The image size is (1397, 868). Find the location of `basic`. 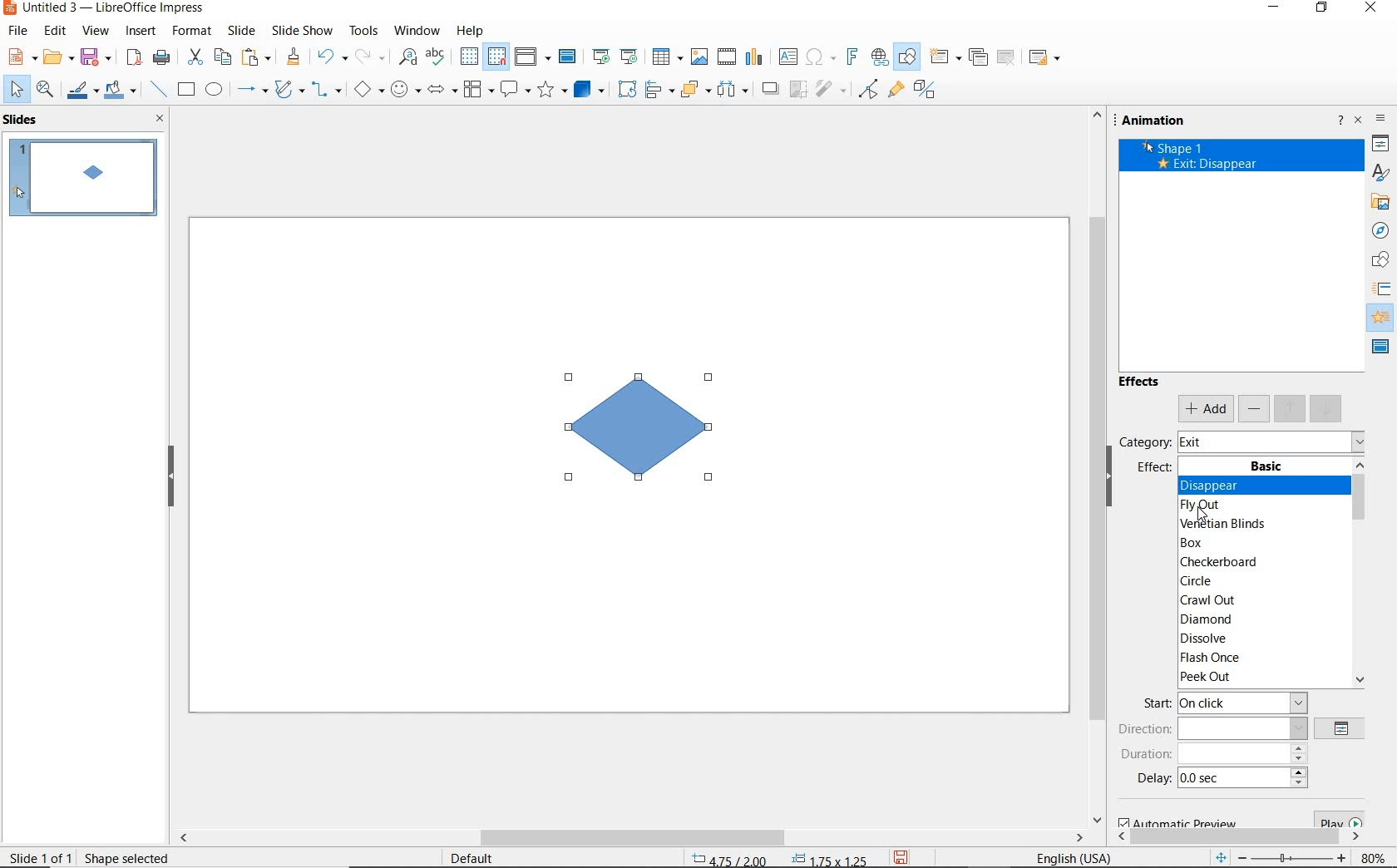

basic is located at coordinates (1265, 466).